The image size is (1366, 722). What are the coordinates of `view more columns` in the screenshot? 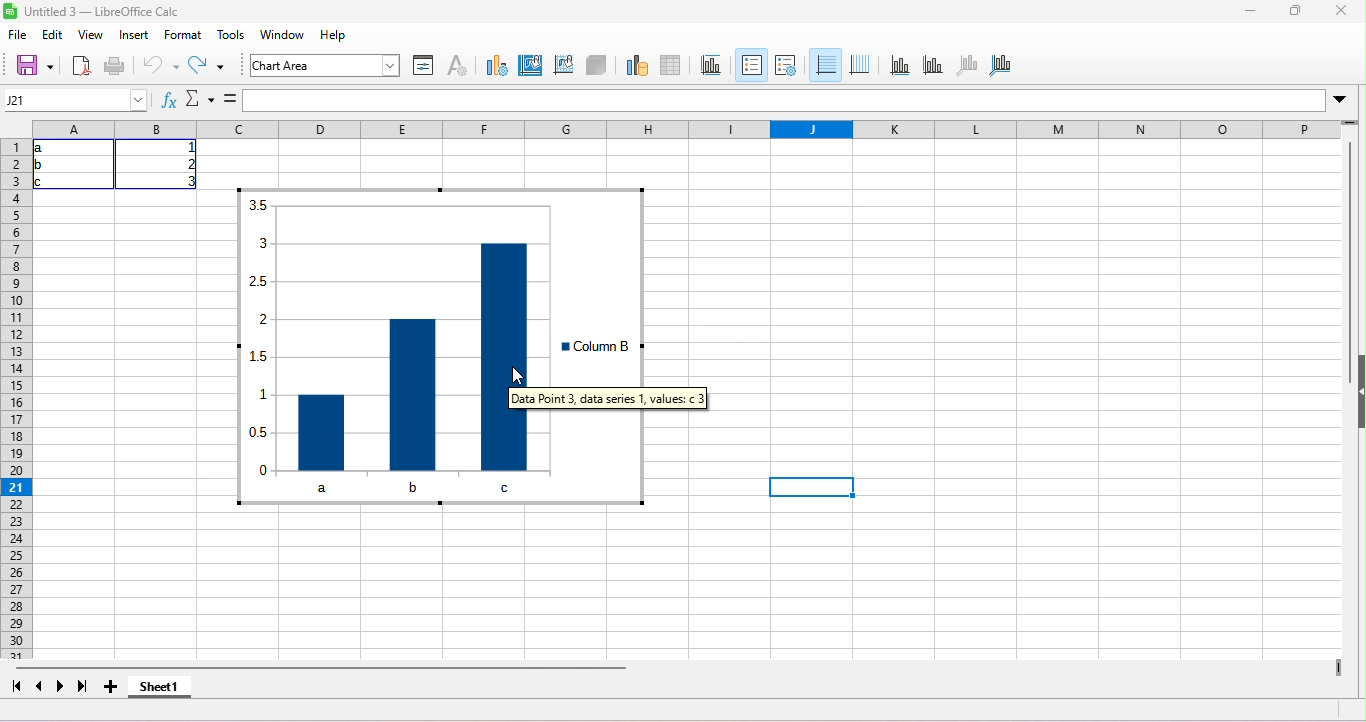 It's located at (1340, 670).